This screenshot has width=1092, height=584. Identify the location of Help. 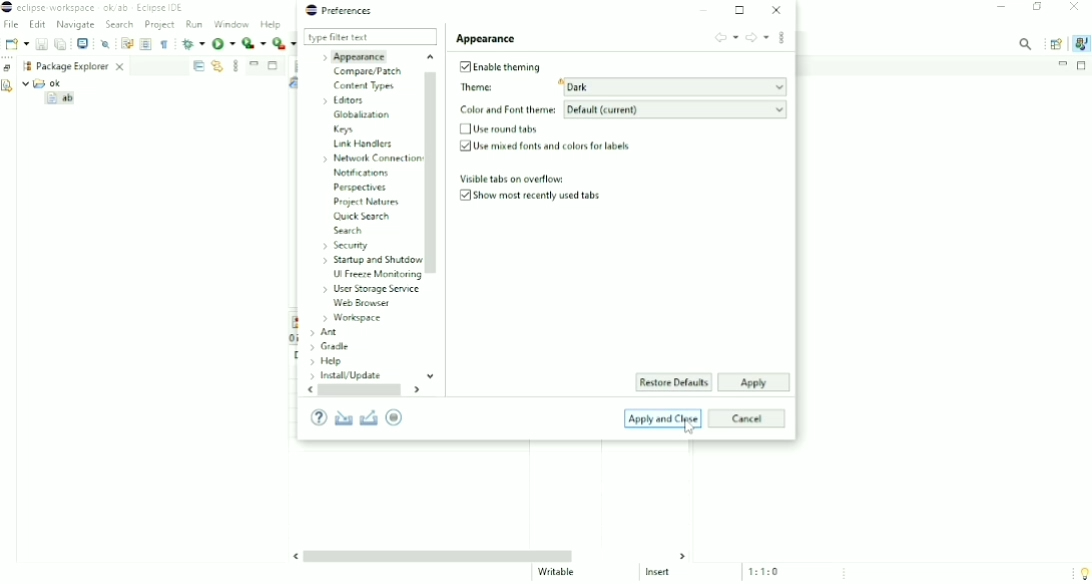
(318, 418).